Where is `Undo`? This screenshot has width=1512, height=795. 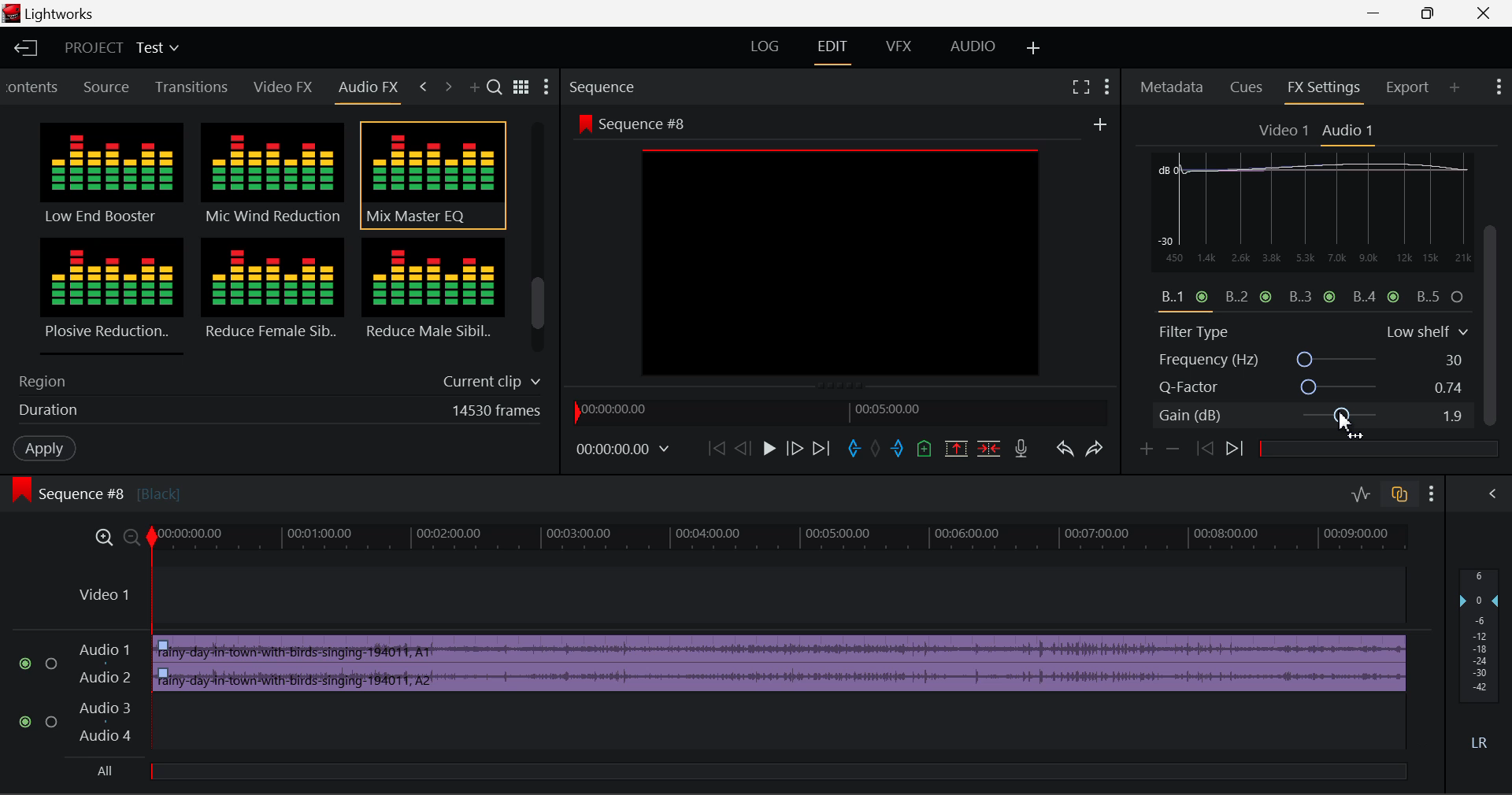
Undo is located at coordinates (1067, 453).